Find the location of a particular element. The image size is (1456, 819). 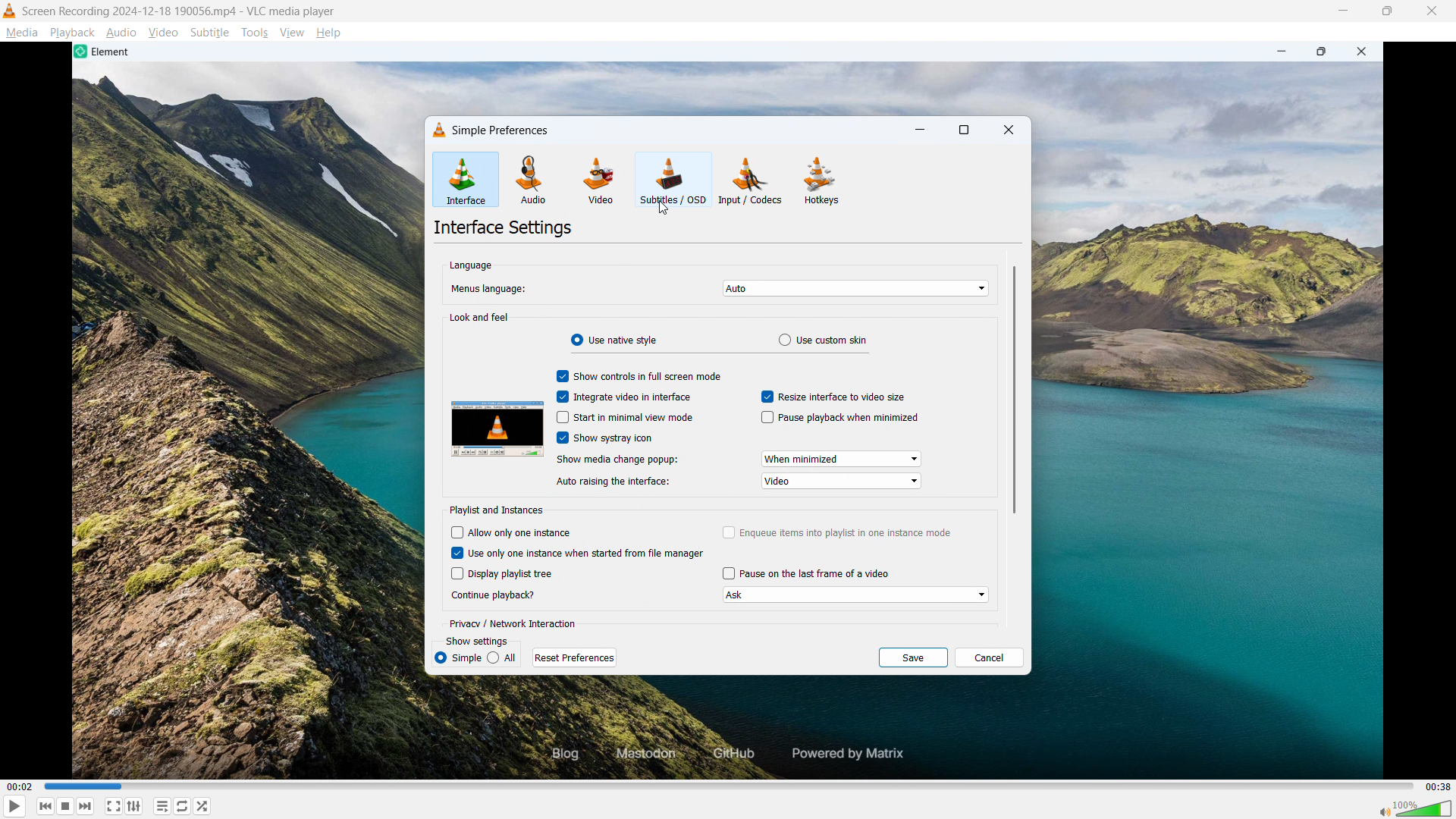

Preview  is located at coordinates (499, 430).